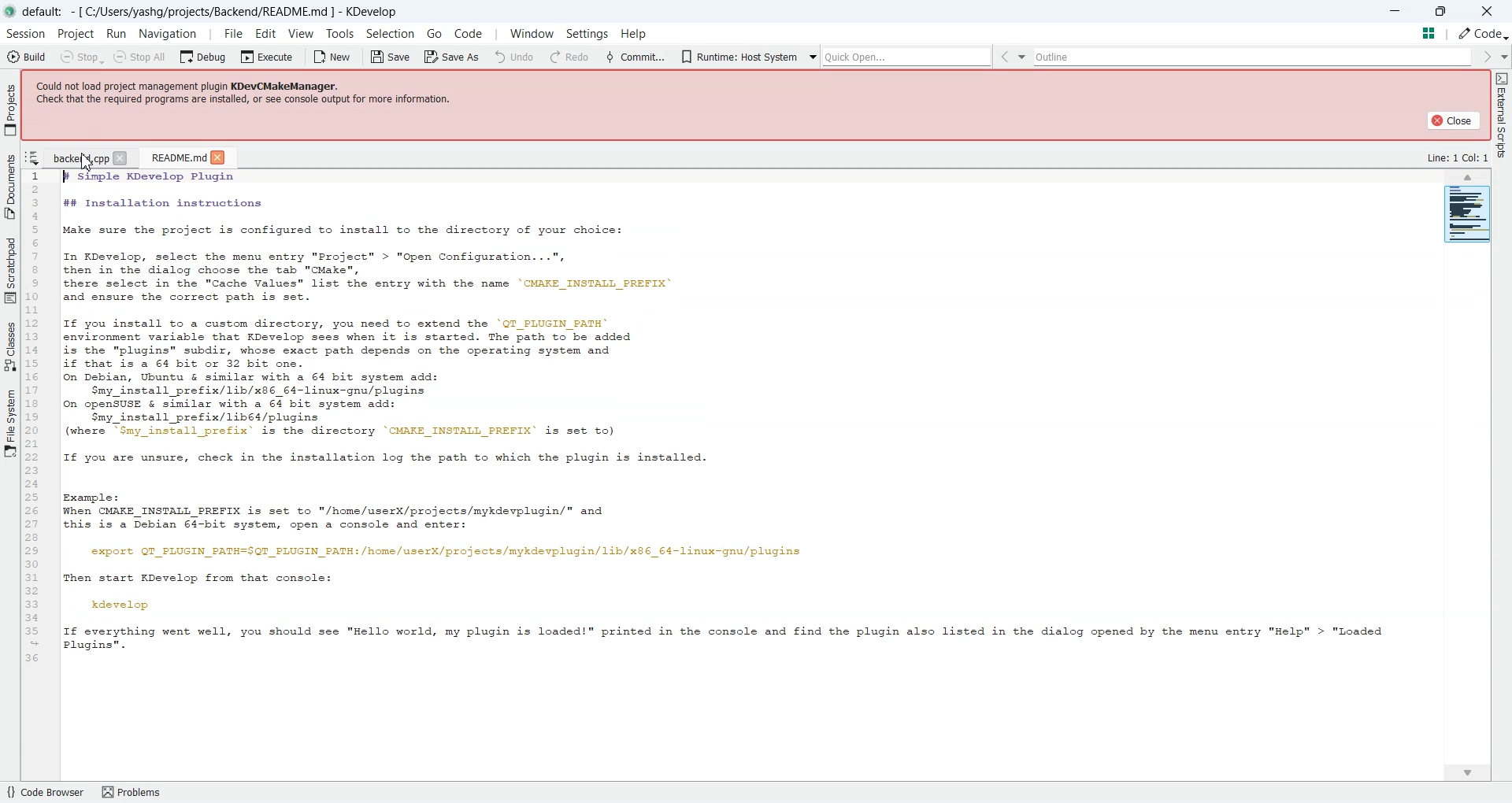  I want to click on Commit, so click(401, 56).